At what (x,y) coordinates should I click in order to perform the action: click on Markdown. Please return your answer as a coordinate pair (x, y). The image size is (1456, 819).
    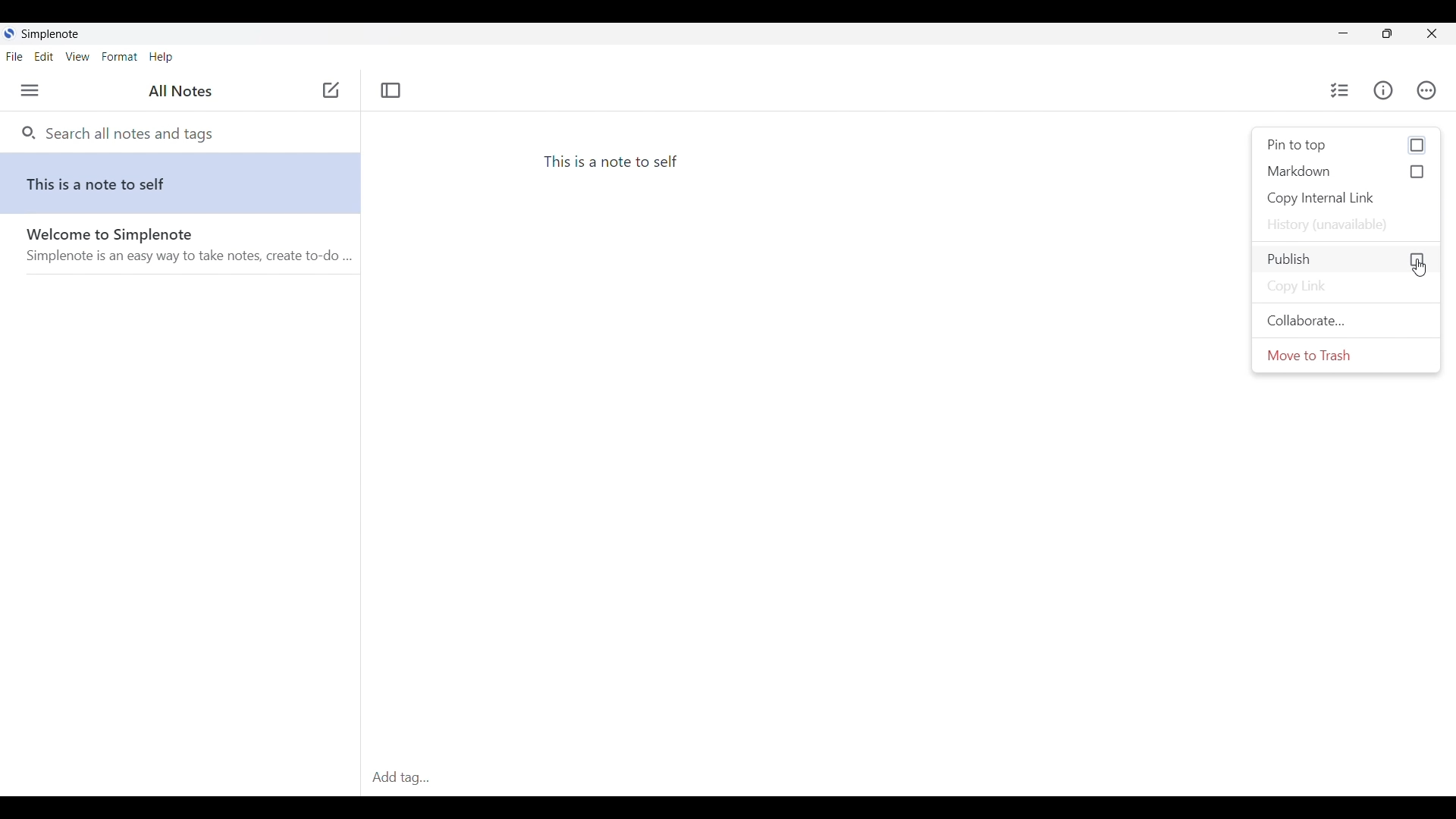
    Looking at the image, I should click on (1347, 171).